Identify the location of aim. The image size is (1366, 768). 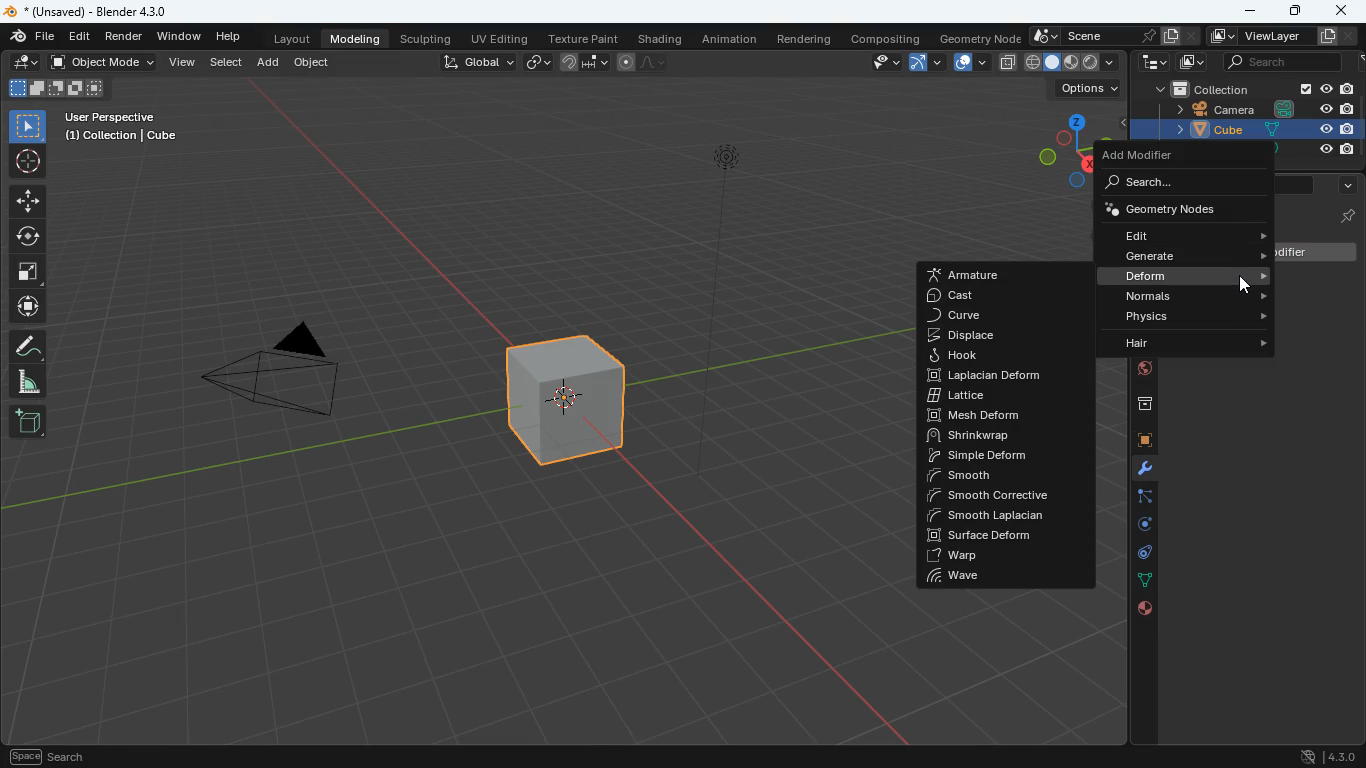
(27, 161).